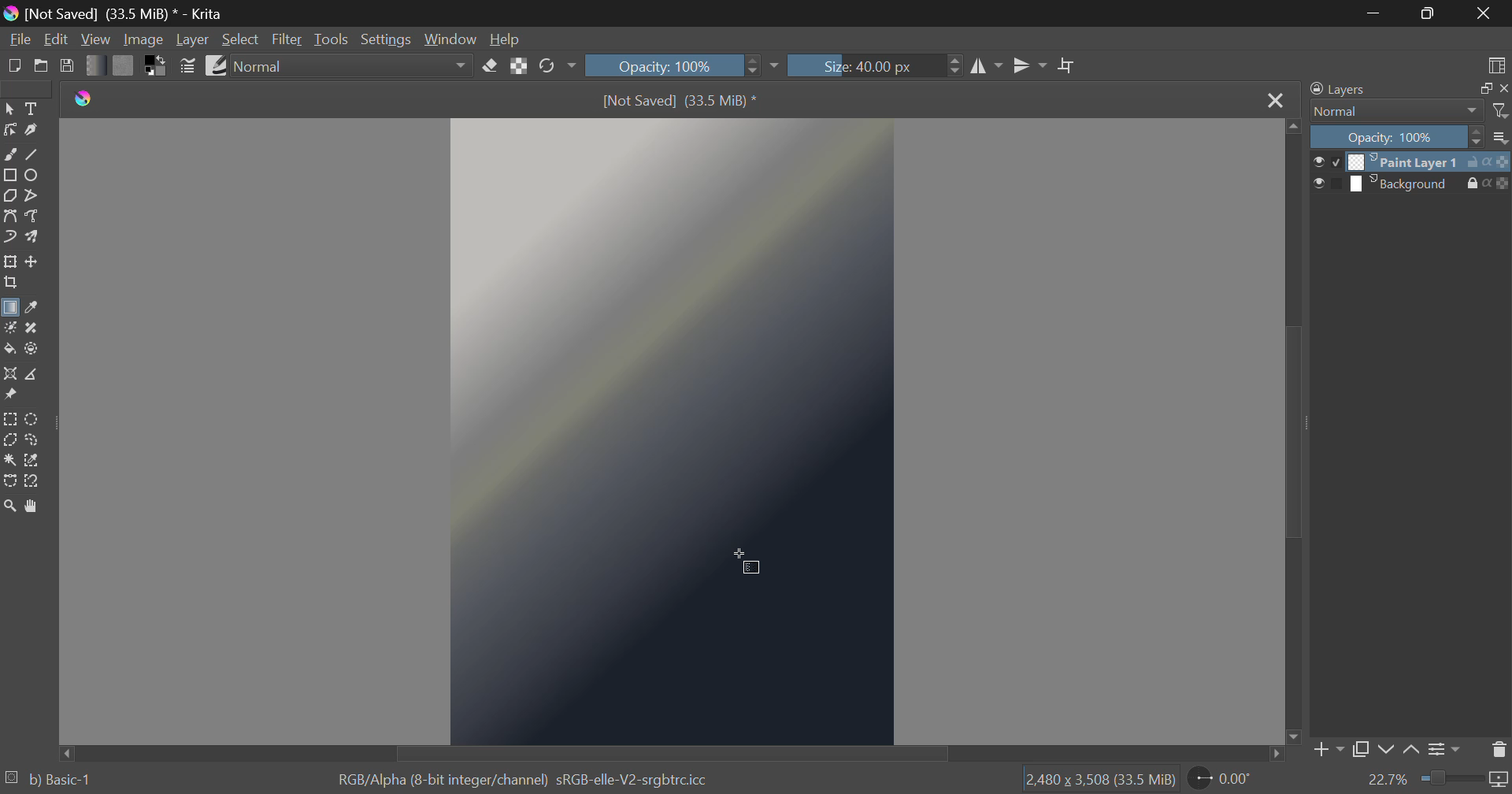 This screenshot has height=794, width=1512. Describe the element at coordinates (9, 397) in the screenshot. I see `Reference Images` at that location.